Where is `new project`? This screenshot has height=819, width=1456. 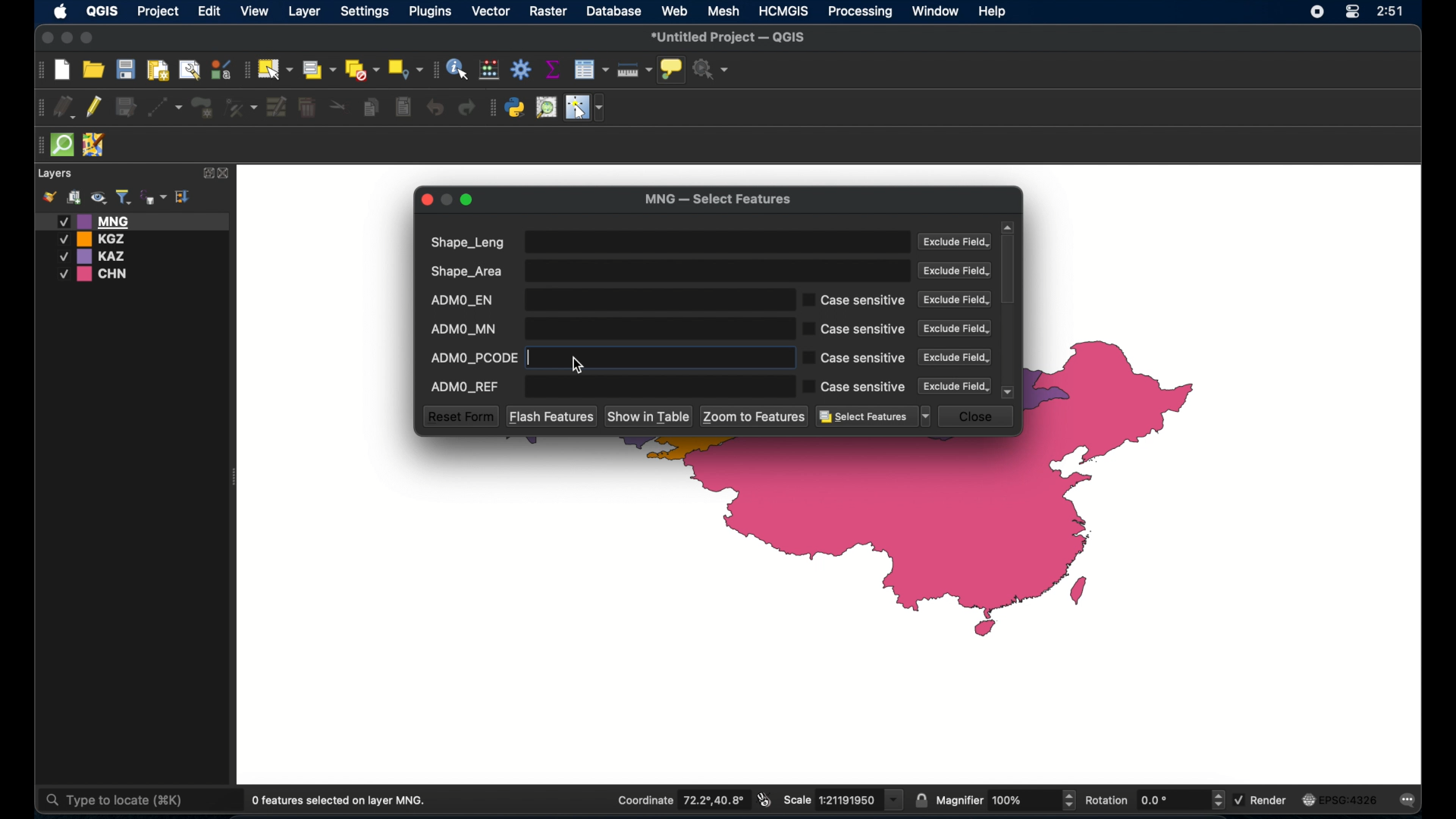 new project is located at coordinates (63, 71).